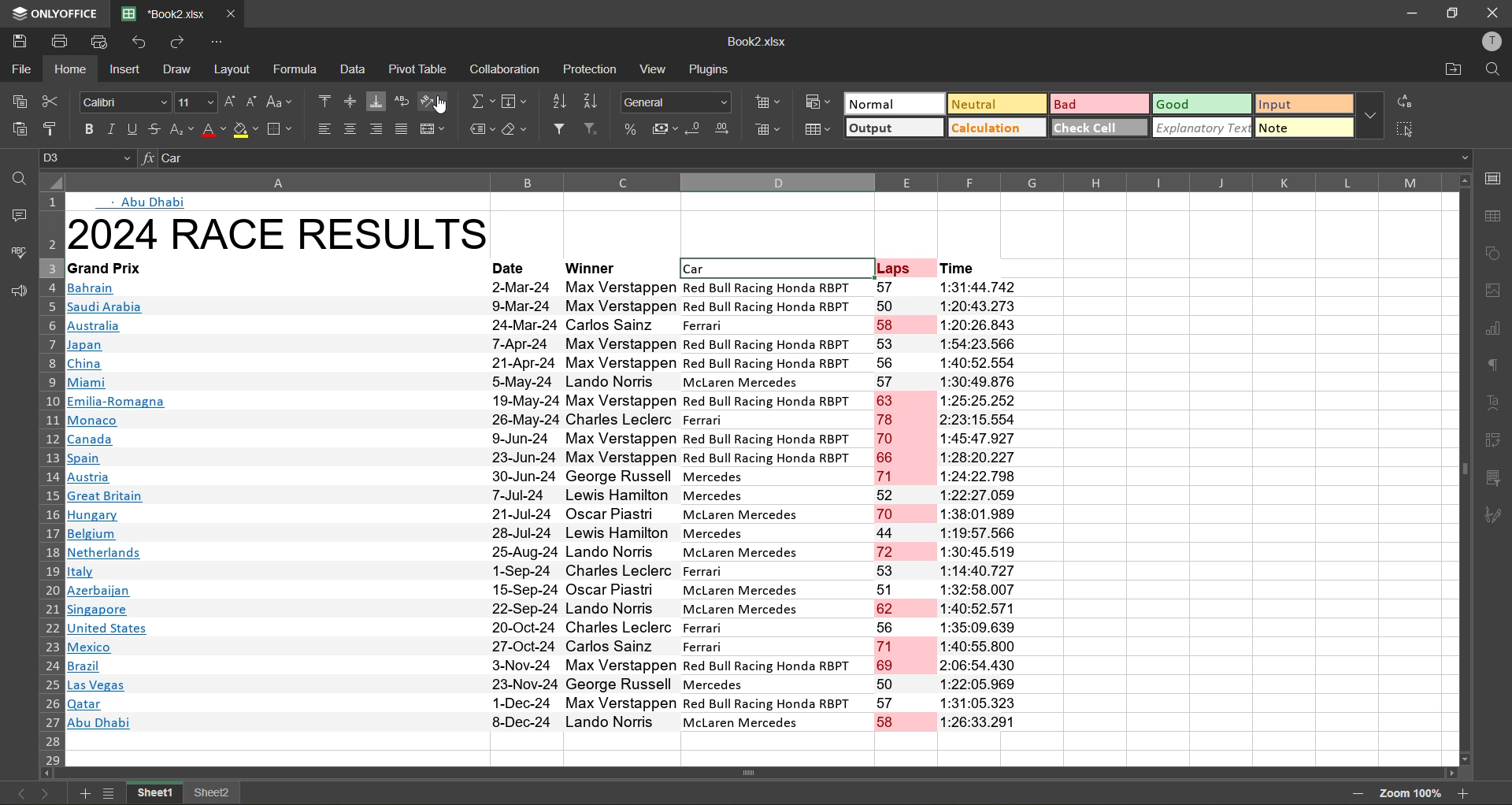  What do you see at coordinates (728, 131) in the screenshot?
I see `increase decimal` at bounding box center [728, 131].